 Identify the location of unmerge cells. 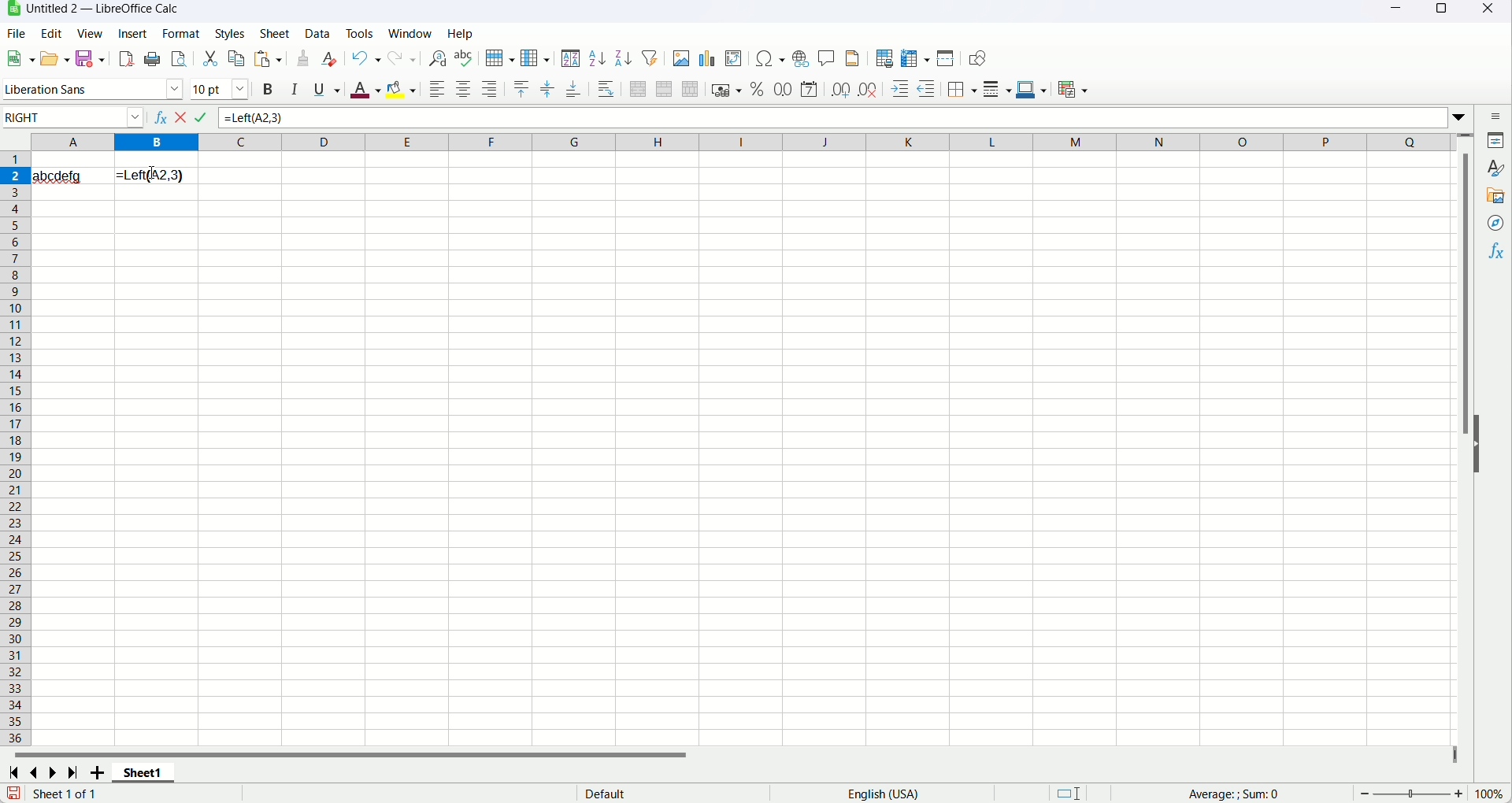
(689, 90).